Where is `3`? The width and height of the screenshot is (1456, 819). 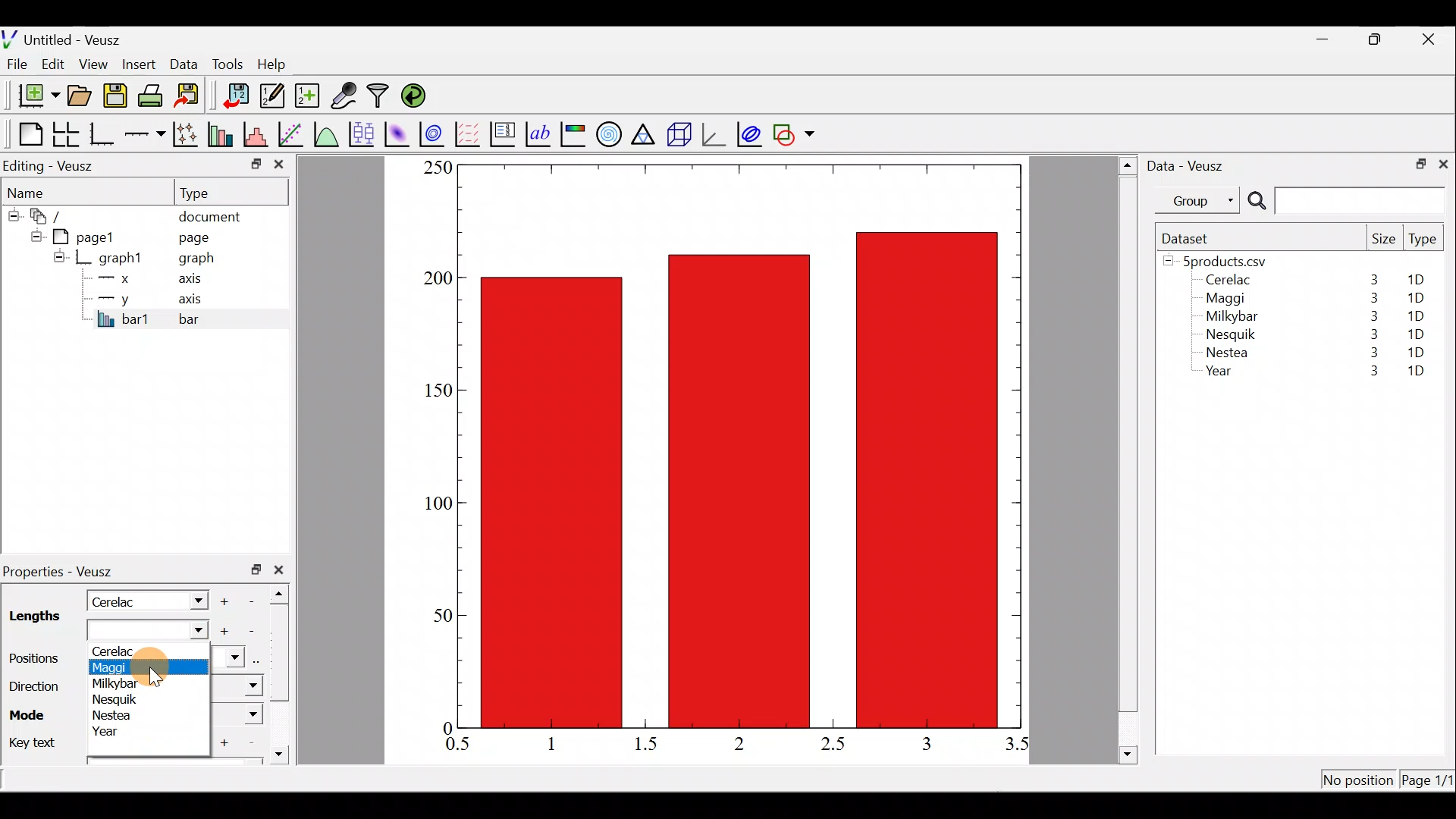
3 is located at coordinates (925, 743).